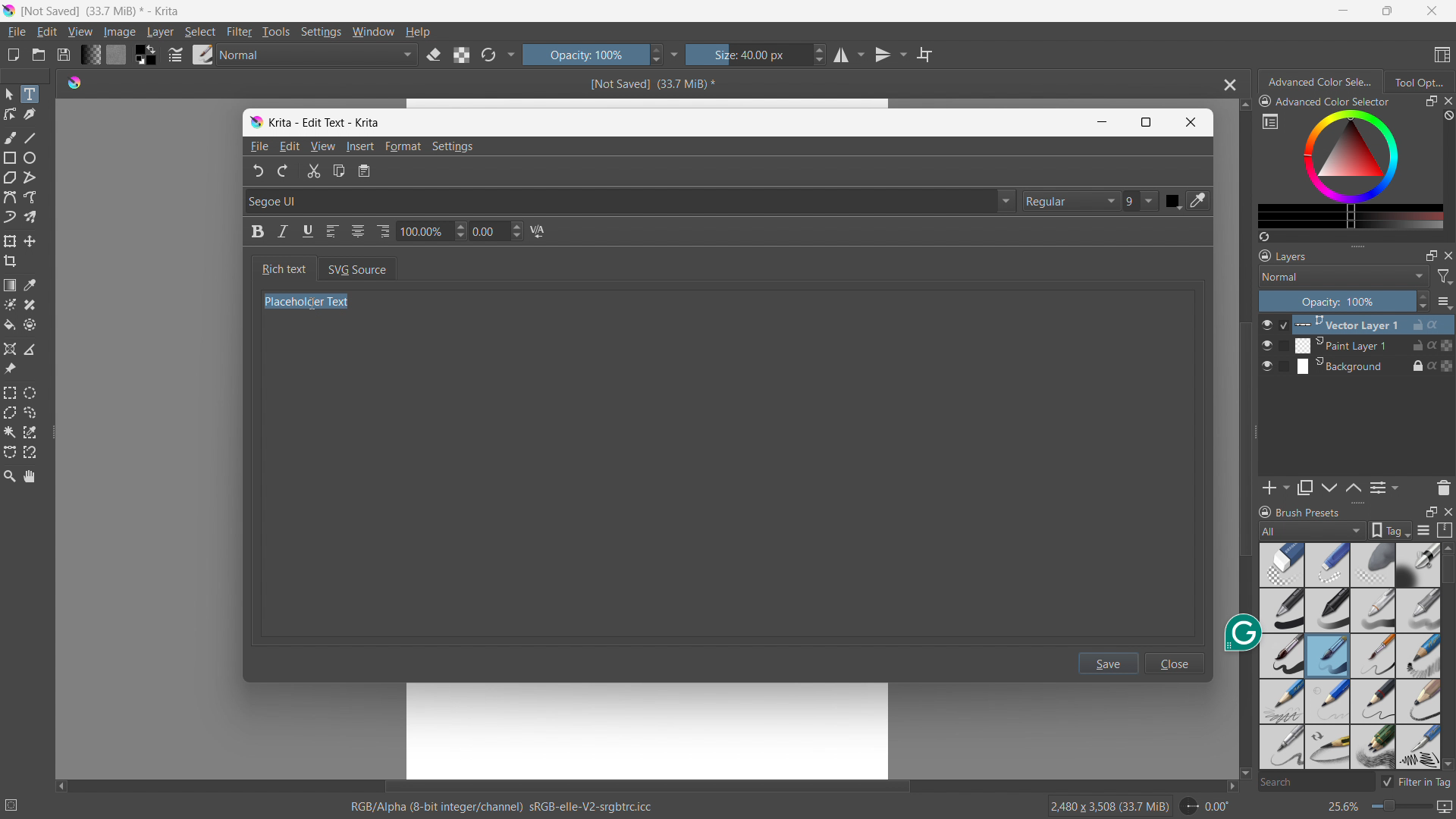 This screenshot has width=1456, height=819. I want to click on format, so click(403, 146).